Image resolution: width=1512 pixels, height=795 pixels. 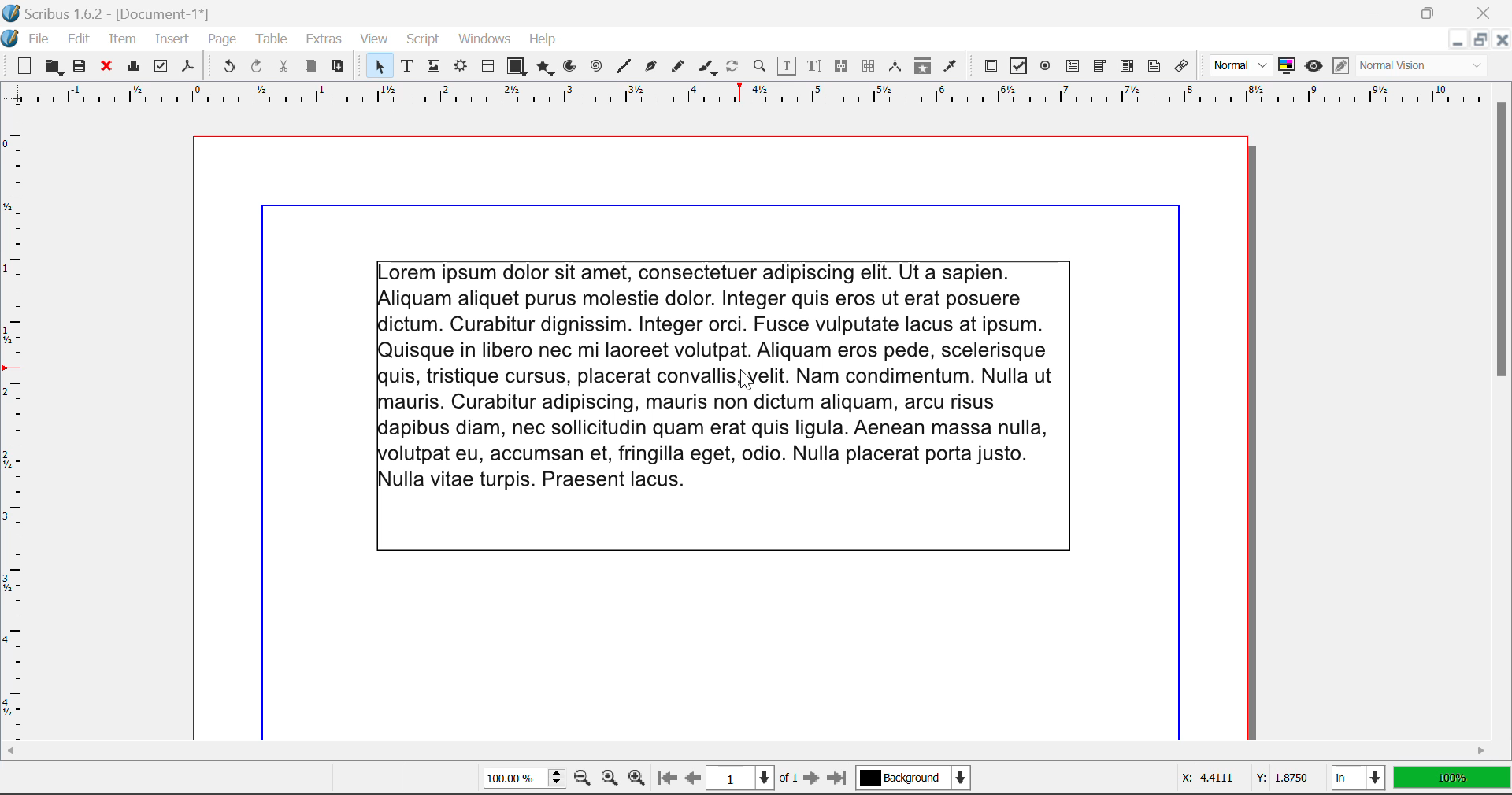 I want to click on scribus logo, so click(x=13, y=39).